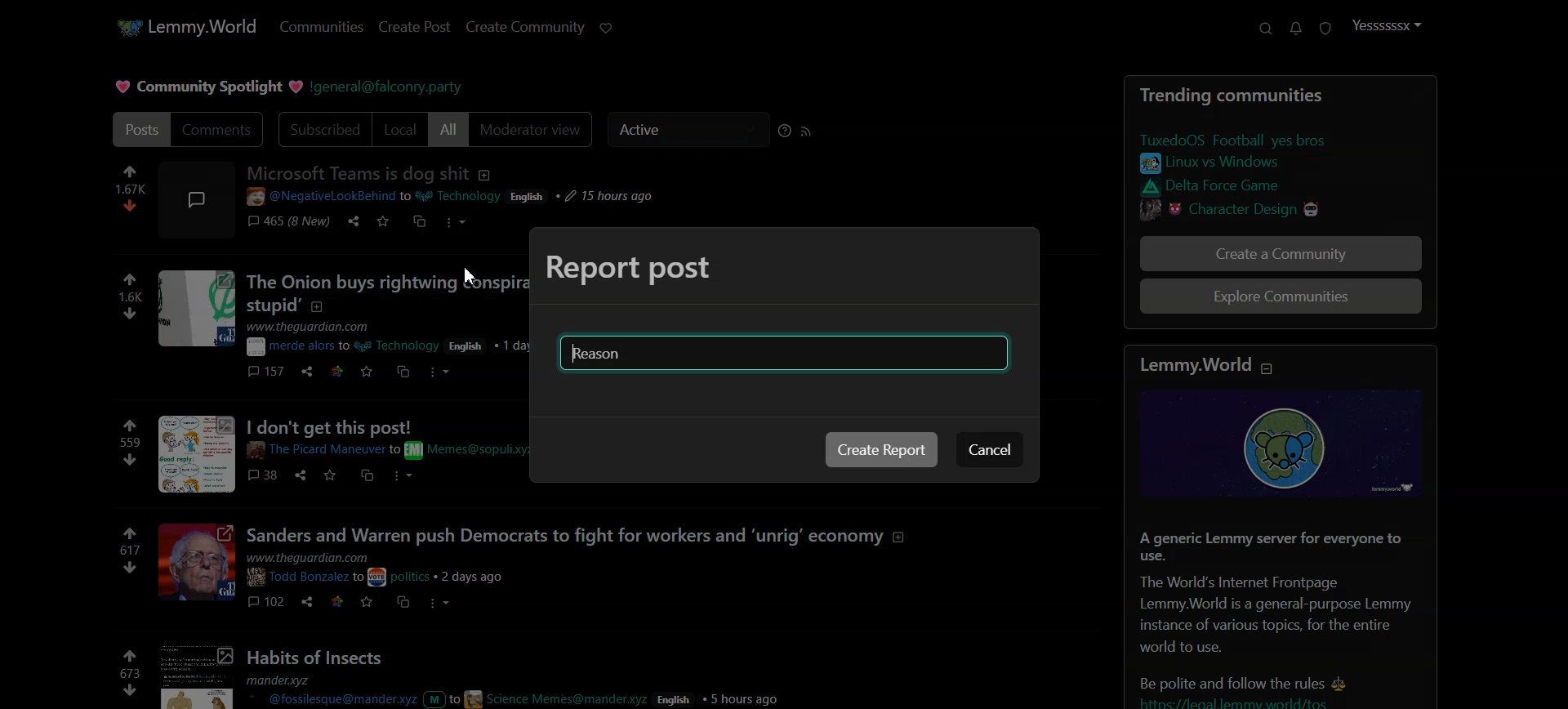 This screenshot has width=1568, height=709. I want to click on more, so click(443, 372).